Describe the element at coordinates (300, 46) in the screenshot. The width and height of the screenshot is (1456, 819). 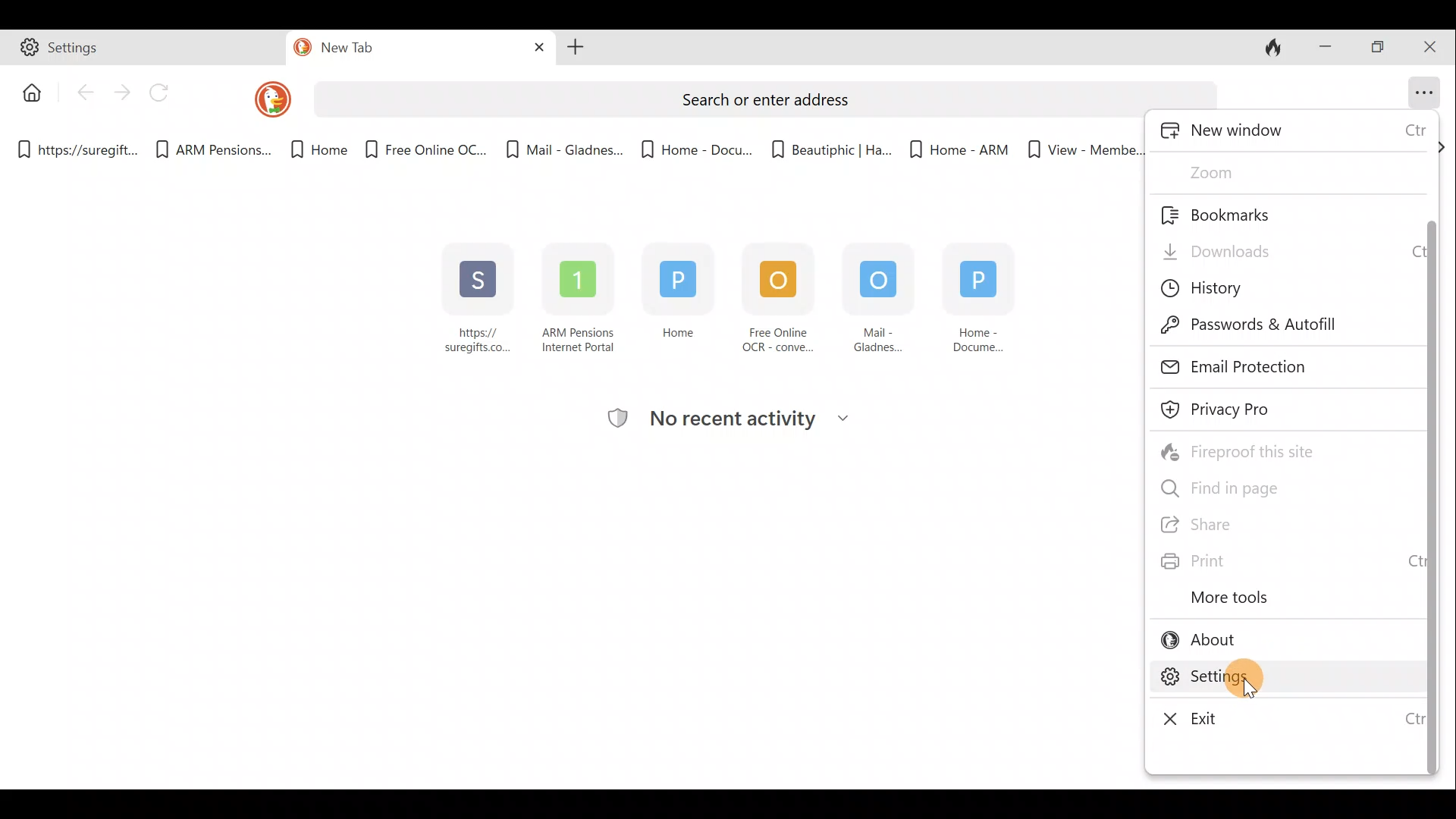
I see `duckduck go logo` at that location.